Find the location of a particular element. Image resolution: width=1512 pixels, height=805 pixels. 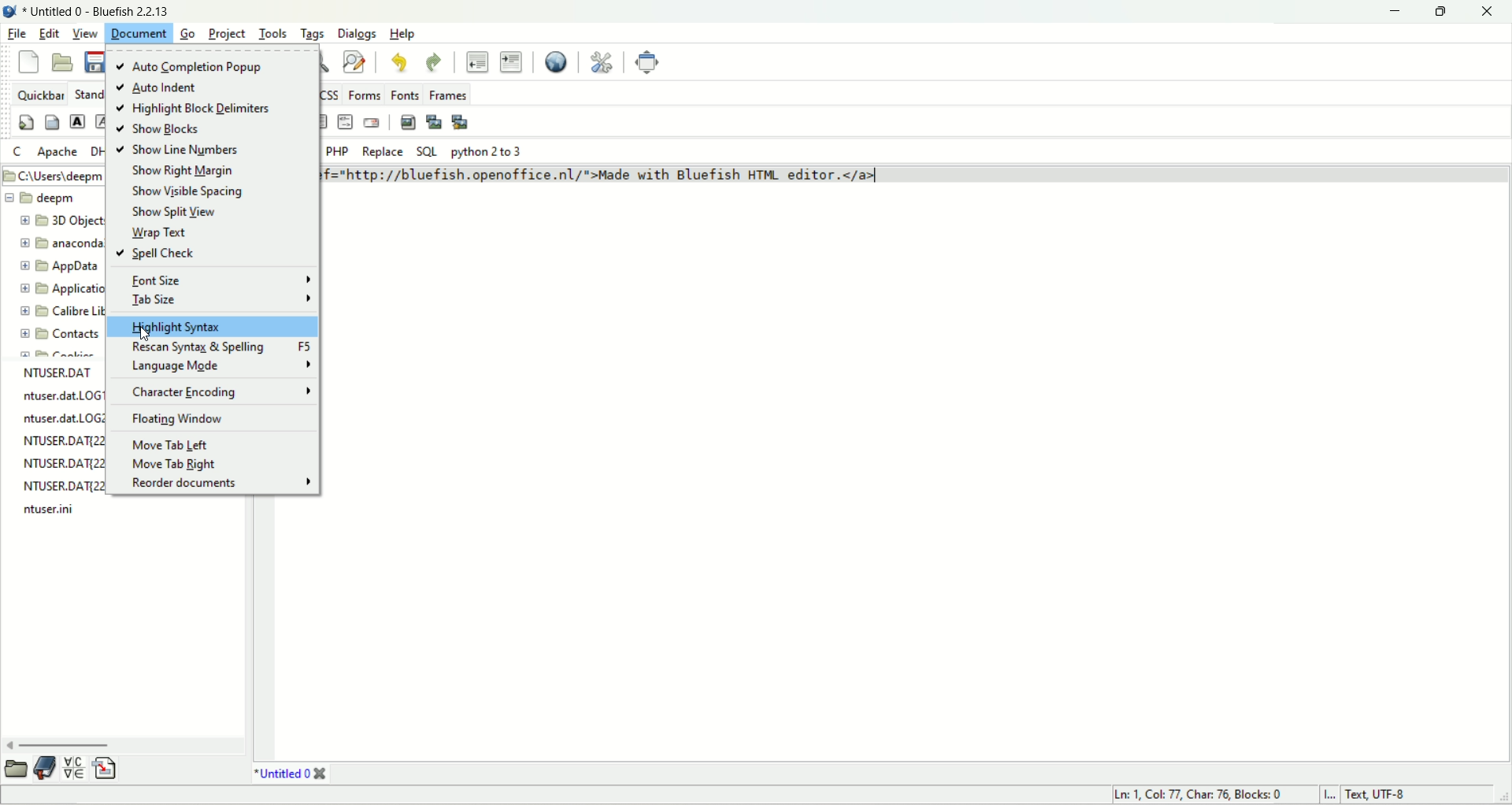

tools is located at coordinates (273, 31).